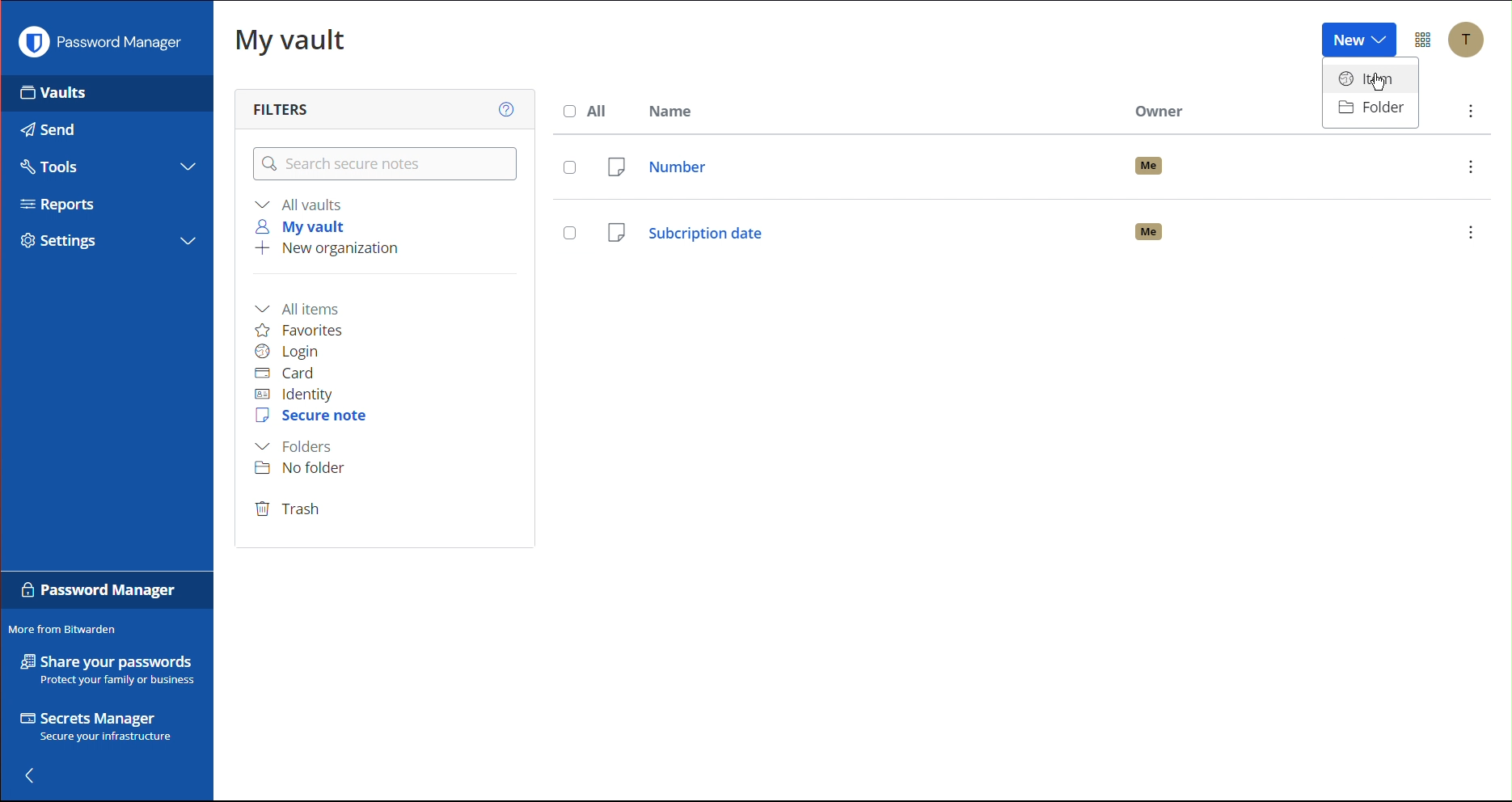  I want to click on Favorites, so click(310, 329).